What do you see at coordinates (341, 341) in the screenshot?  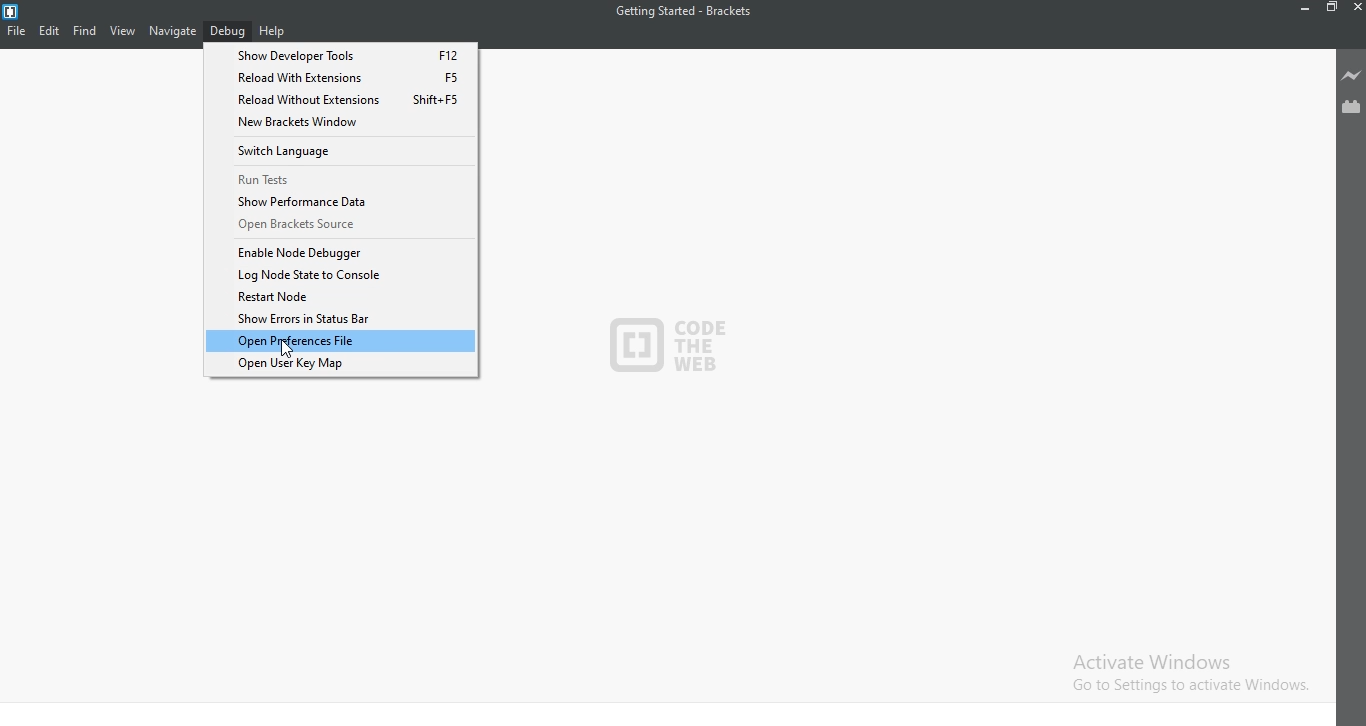 I see `open prefences file` at bounding box center [341, 341].